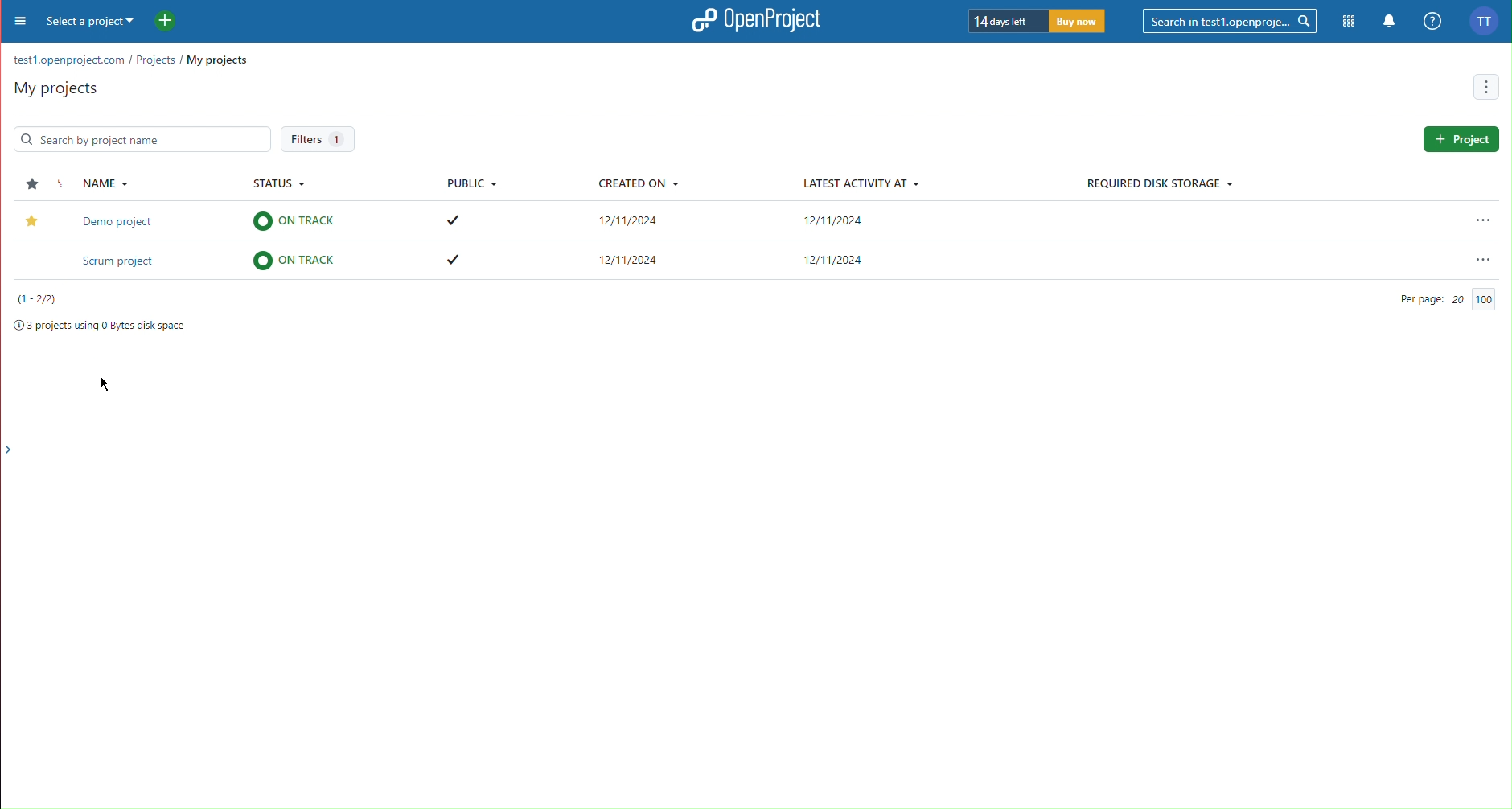 This screenshot has height=809, width=1512. I want to click on New Project, so click(165, 22).